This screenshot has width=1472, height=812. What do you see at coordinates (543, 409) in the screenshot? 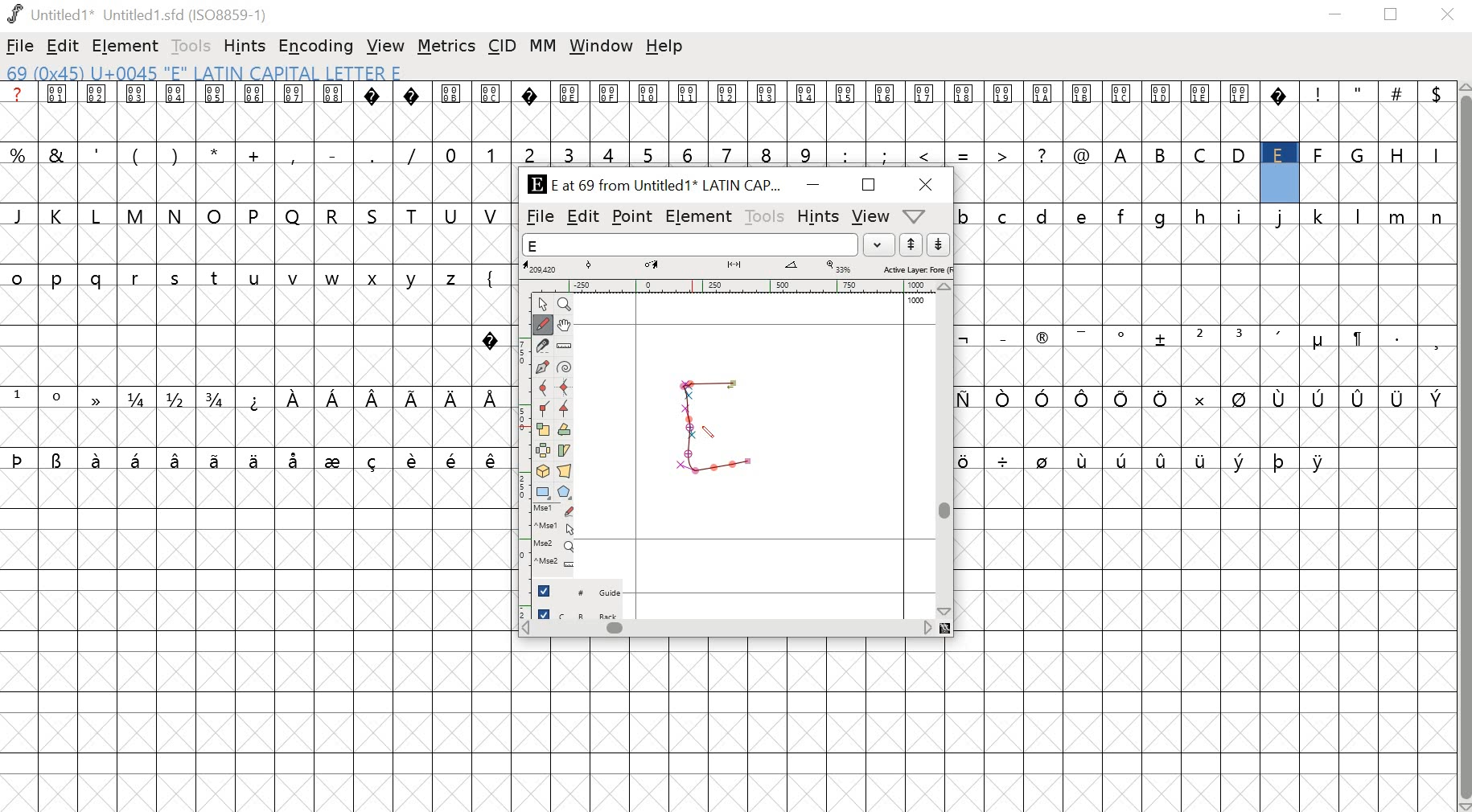
I see `Corner` at bounding box center [543, 409].